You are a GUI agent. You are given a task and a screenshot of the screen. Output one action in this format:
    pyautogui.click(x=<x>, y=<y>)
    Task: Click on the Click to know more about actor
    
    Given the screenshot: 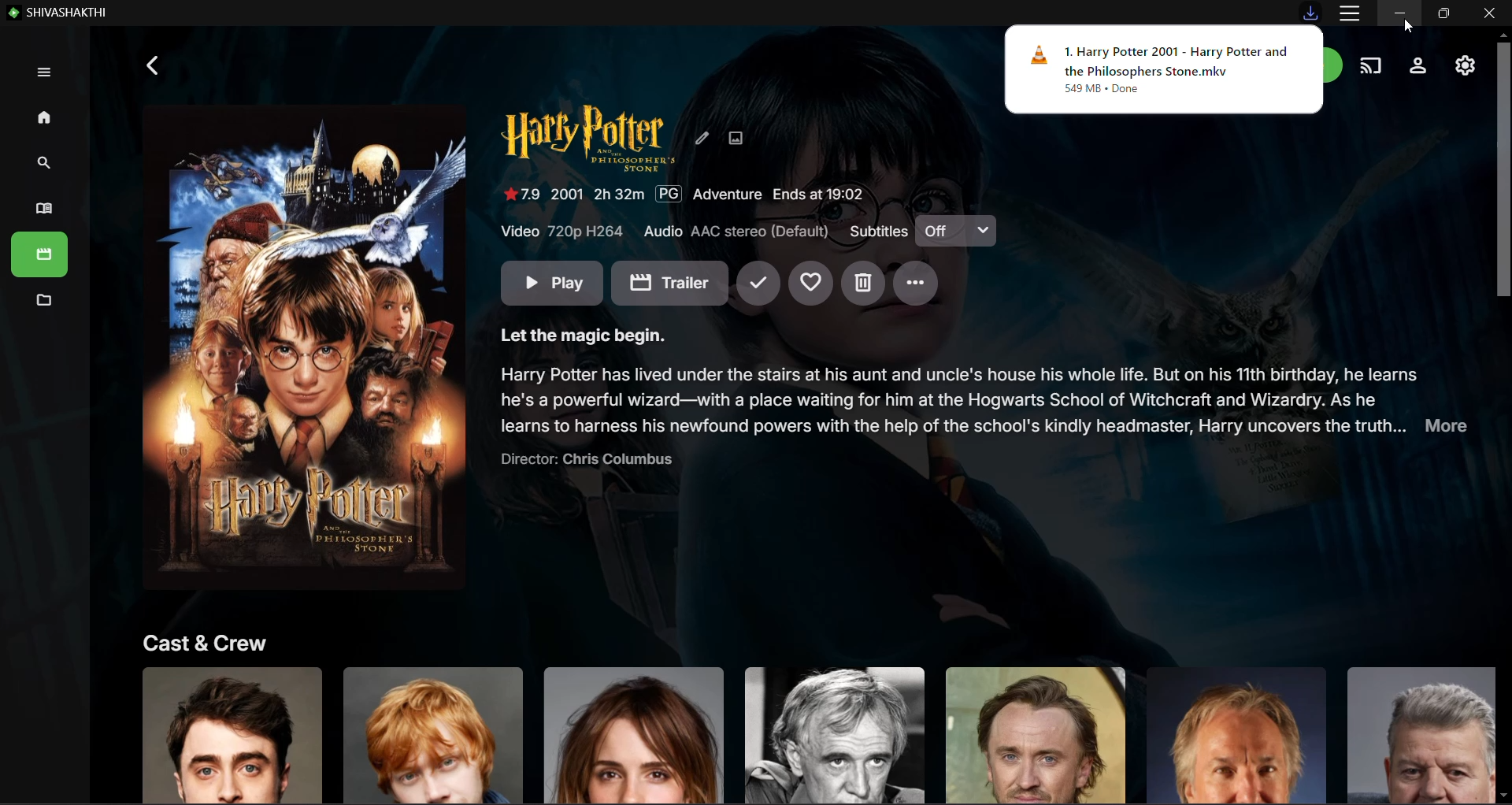 What is the action you would take?
    pyautogui.click(x=634, y=734)
    